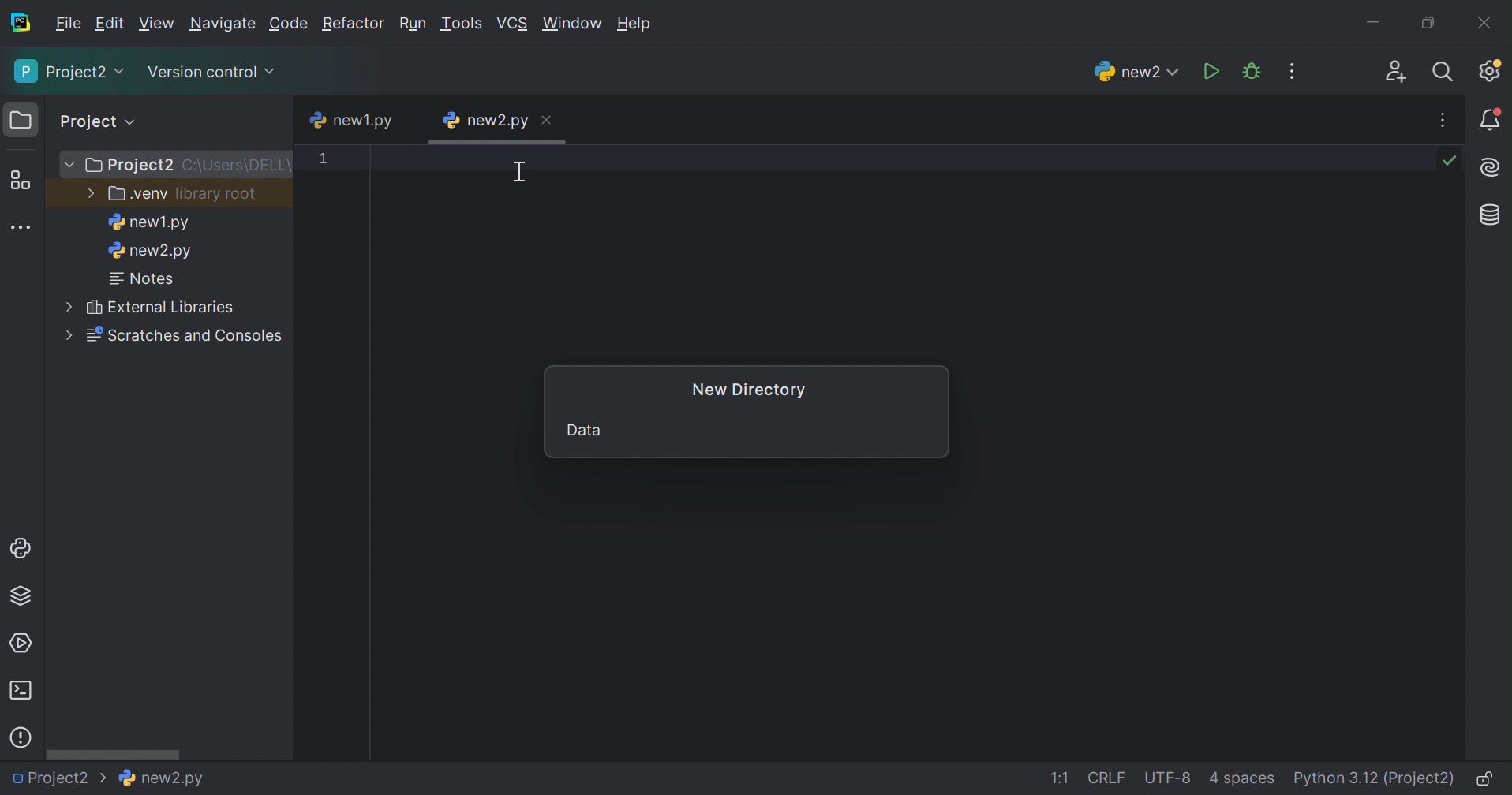  I want to click on More actions, so click(1294, 70).